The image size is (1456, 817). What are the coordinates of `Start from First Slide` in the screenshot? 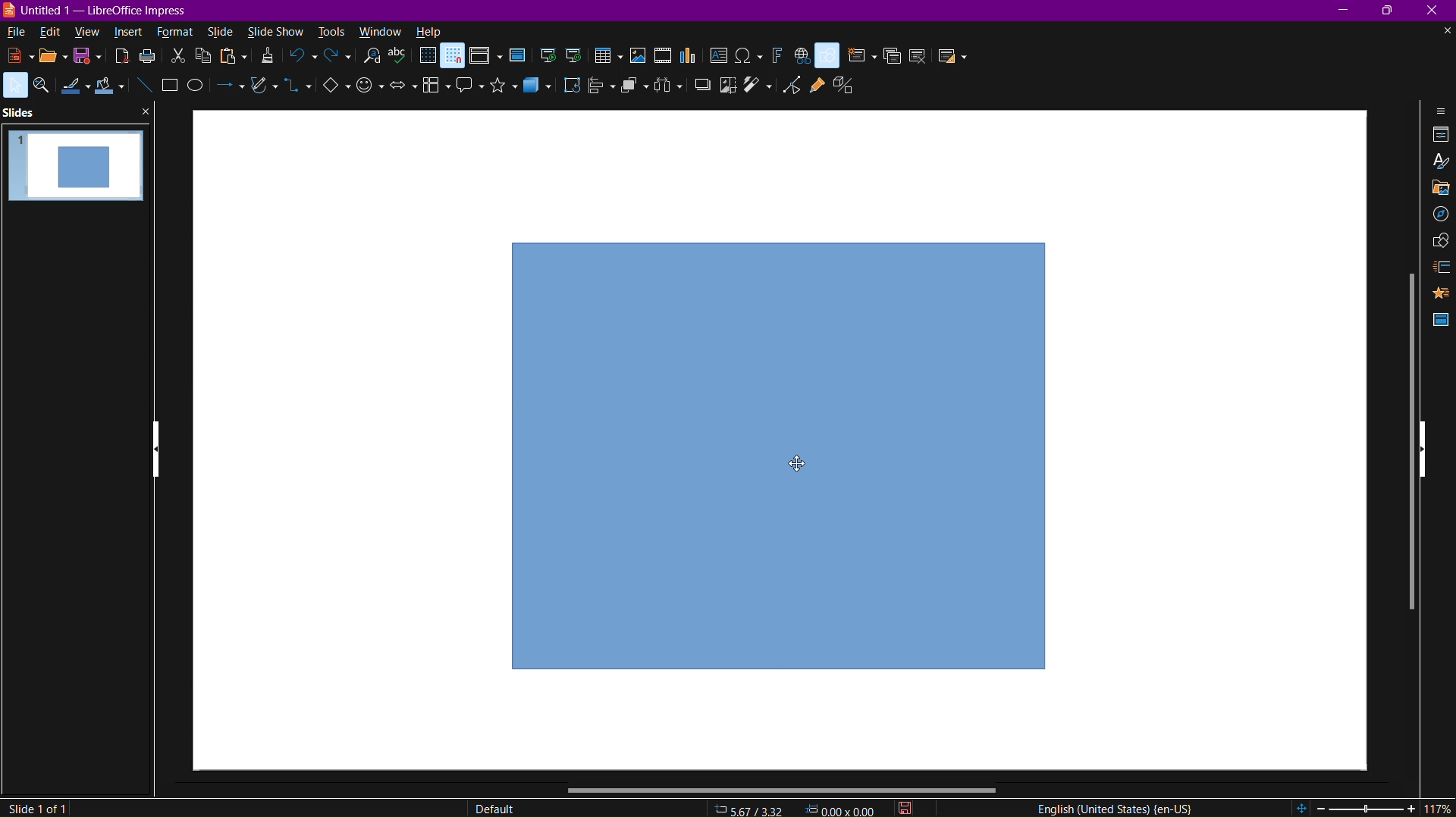 It's located at (548, 56).